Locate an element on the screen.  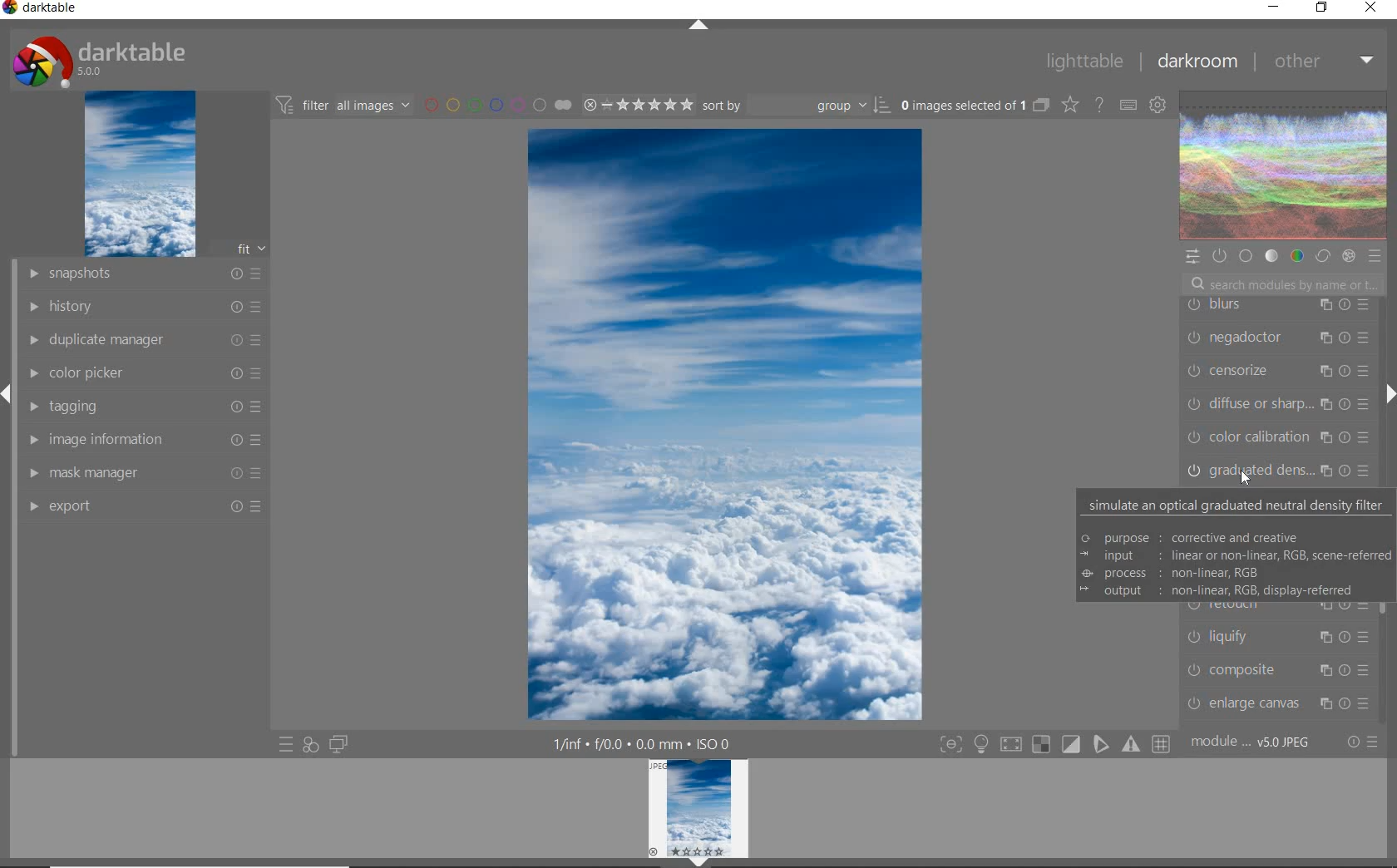
GRADUATED DENSITY is located at coordinates (1282, 471).